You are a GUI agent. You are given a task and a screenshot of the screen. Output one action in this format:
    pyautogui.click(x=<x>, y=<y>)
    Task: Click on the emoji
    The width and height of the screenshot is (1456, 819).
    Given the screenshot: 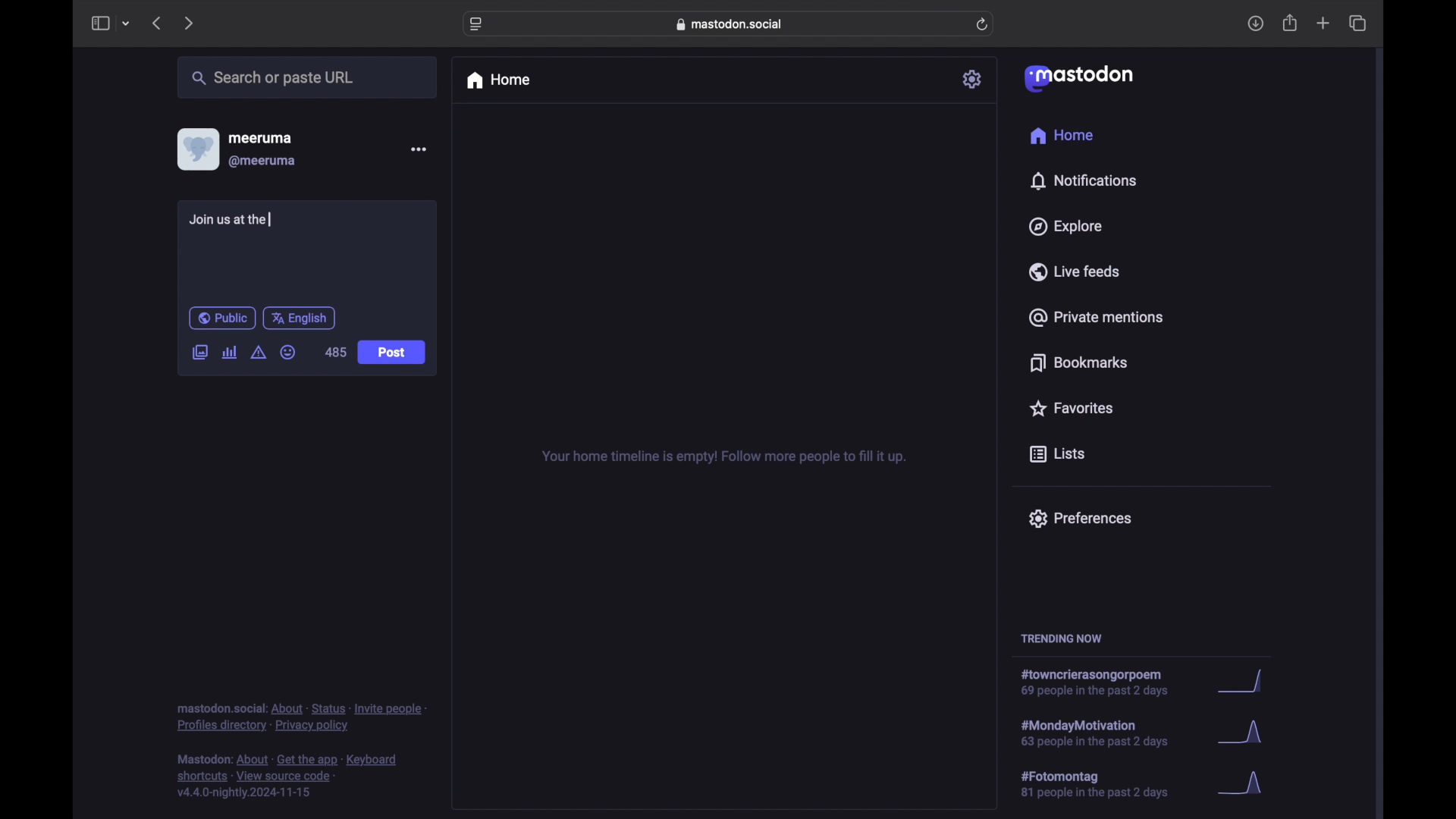 What is the action you would take?
    pyautogui.click(x=288, y=353)
    